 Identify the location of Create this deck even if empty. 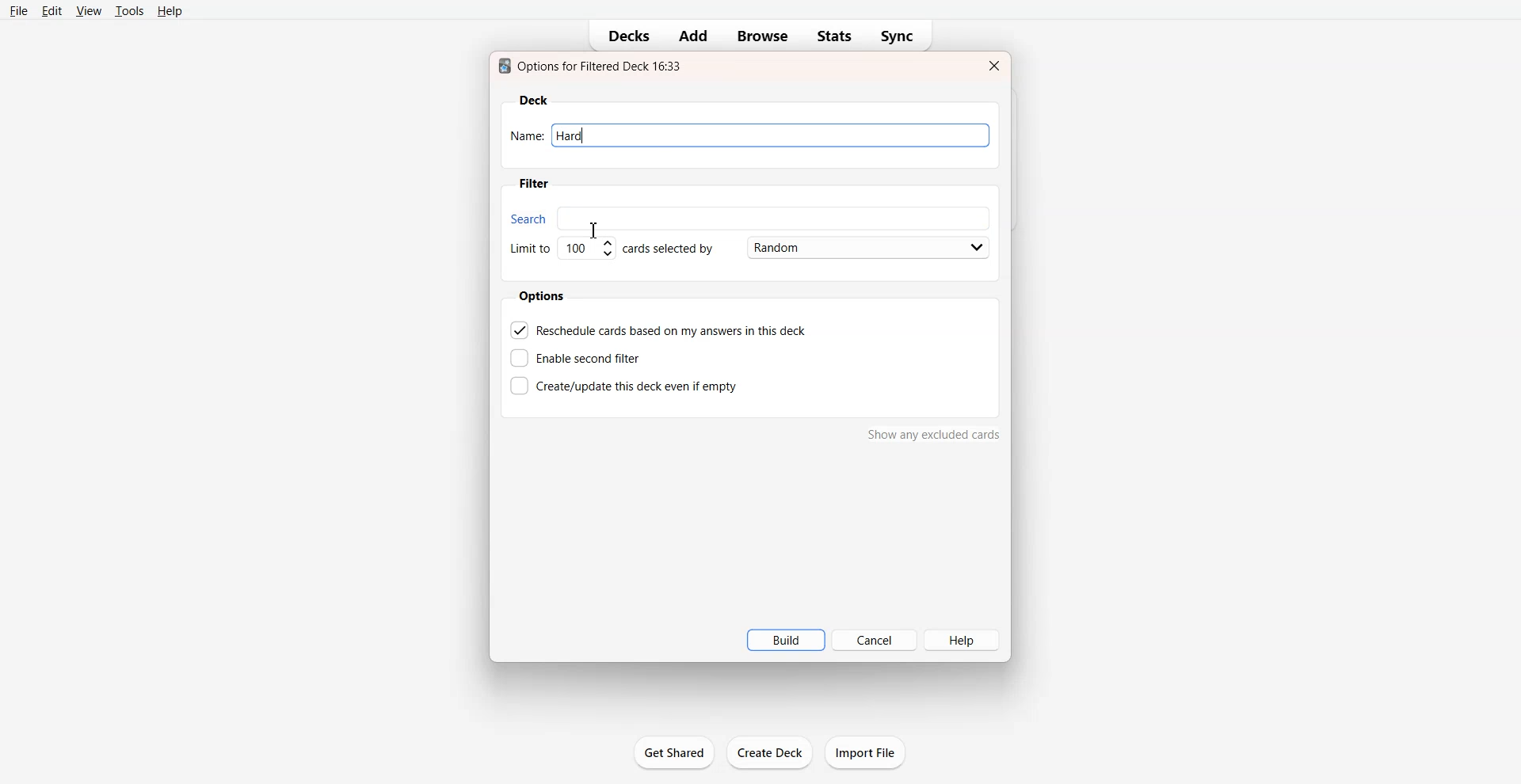
(623, 384).